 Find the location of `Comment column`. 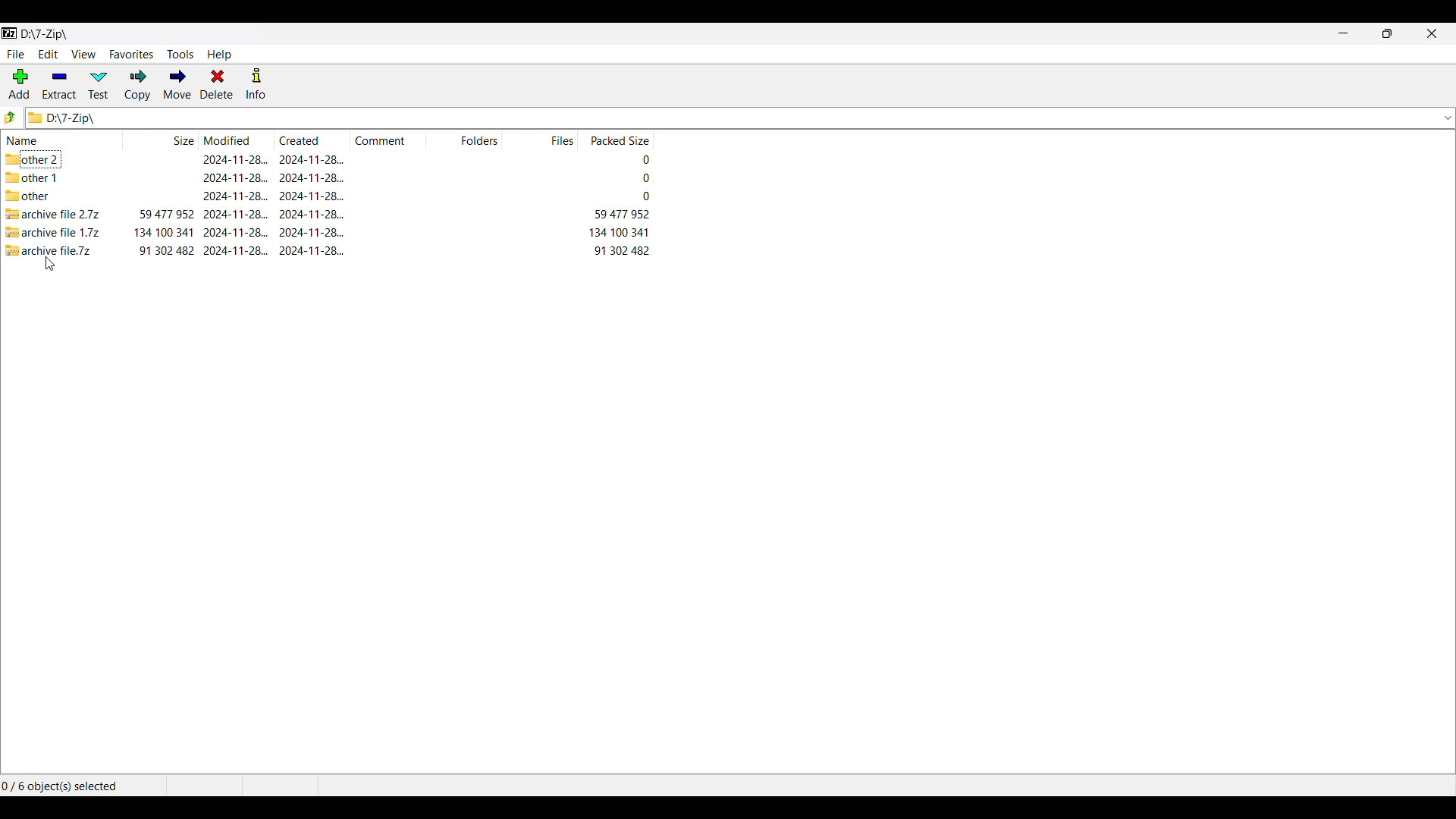

Comment column is located at coordinates (389, 139).